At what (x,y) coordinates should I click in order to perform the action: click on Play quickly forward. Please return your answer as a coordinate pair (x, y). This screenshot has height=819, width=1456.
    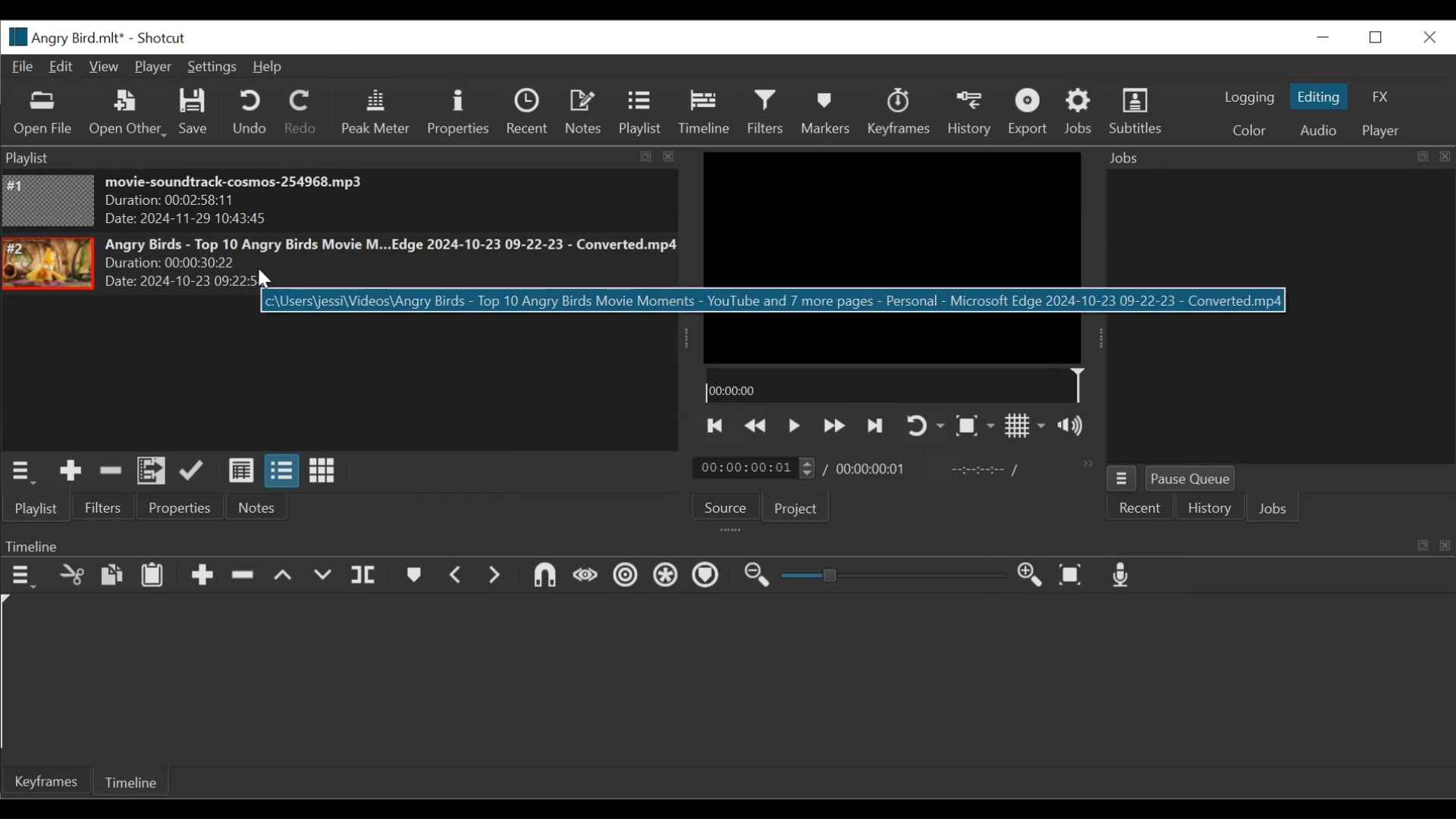
    Looking at the image, I should click on (832, 426).